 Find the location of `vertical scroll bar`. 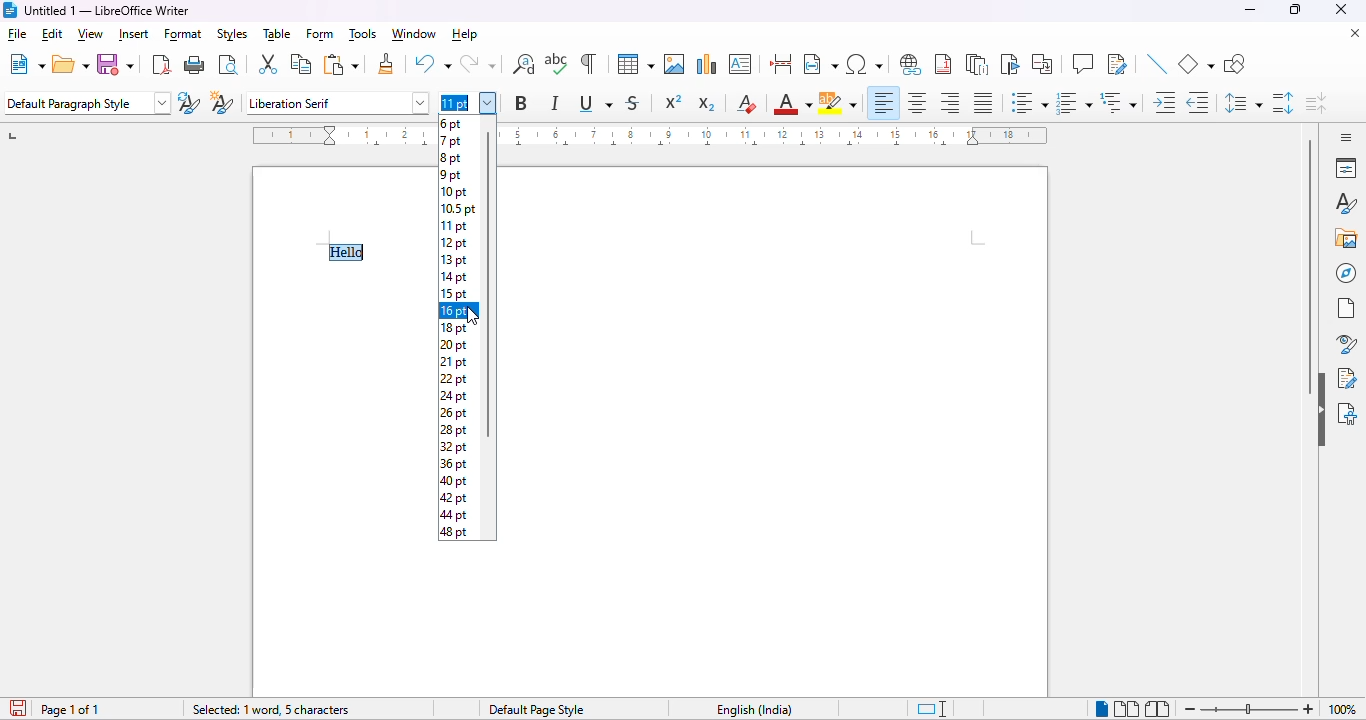

vertical scroll bar is located at coordinates (488, 284).